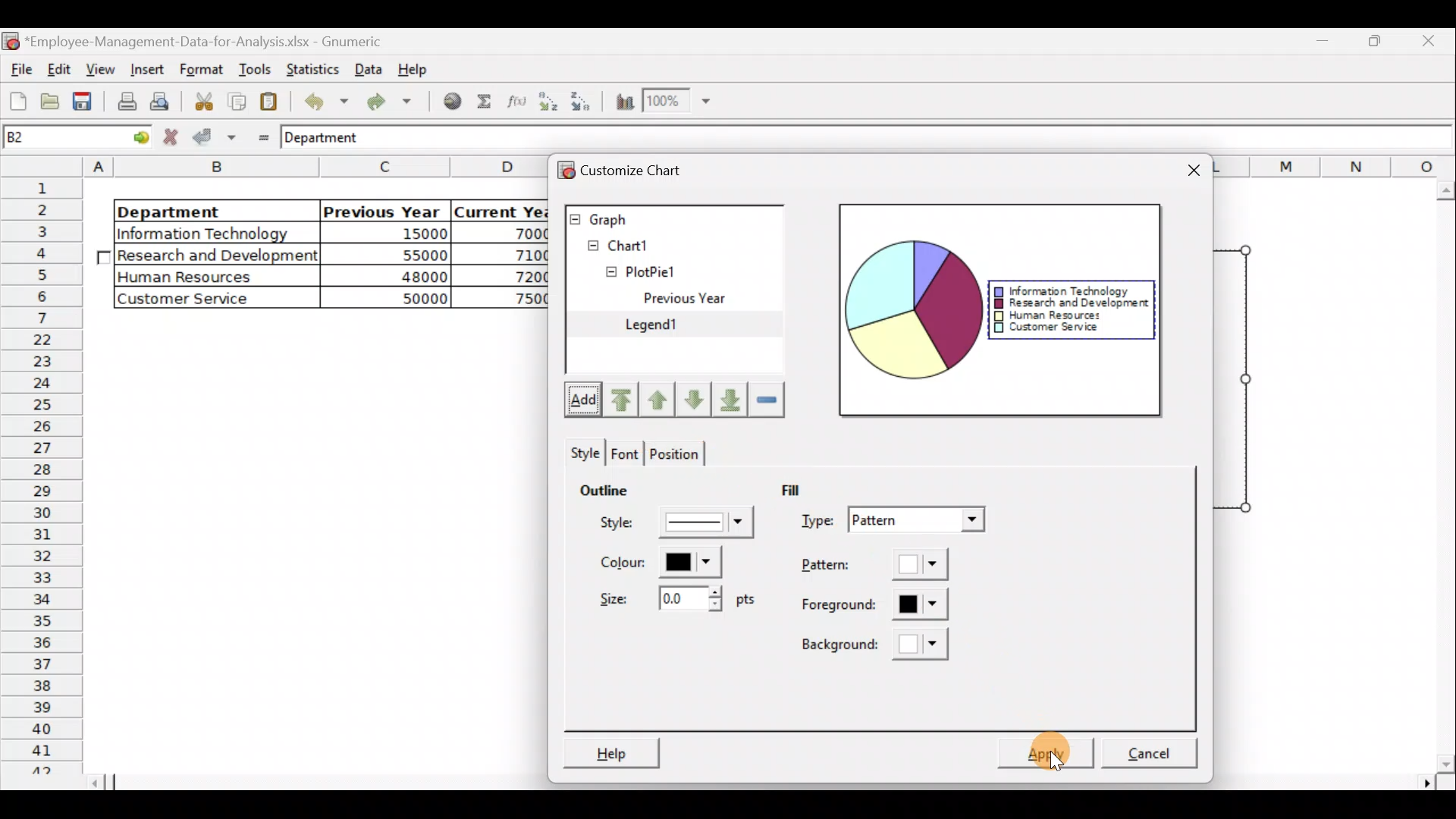 This screenshot has width=1456, height=819. I want to click on Create a new workbook, so click(18, 101).